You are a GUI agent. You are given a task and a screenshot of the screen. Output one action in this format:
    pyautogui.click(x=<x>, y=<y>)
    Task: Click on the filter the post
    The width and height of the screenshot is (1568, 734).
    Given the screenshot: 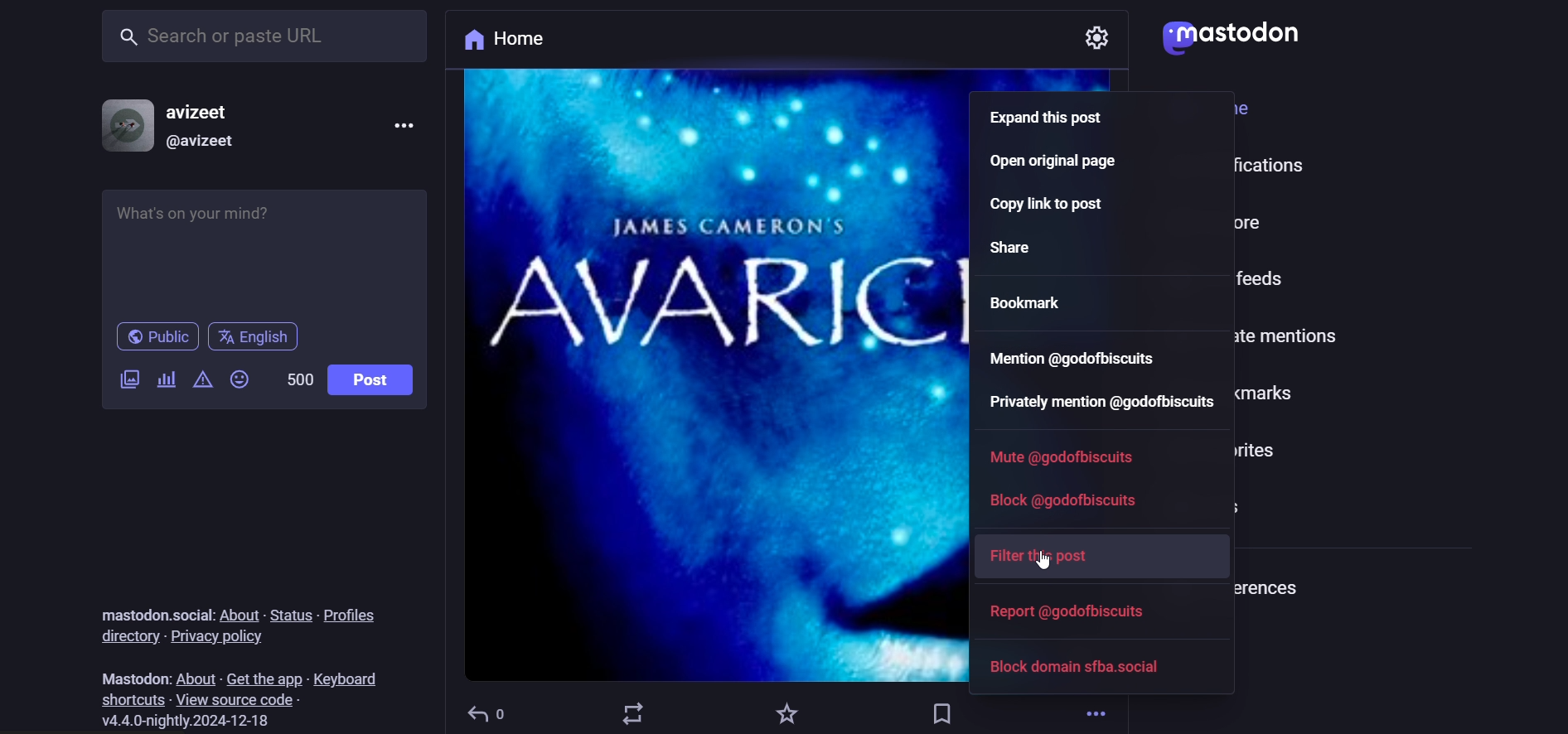 What is the action you would take?
    pyautogui.click(x=1049, y=556)
    